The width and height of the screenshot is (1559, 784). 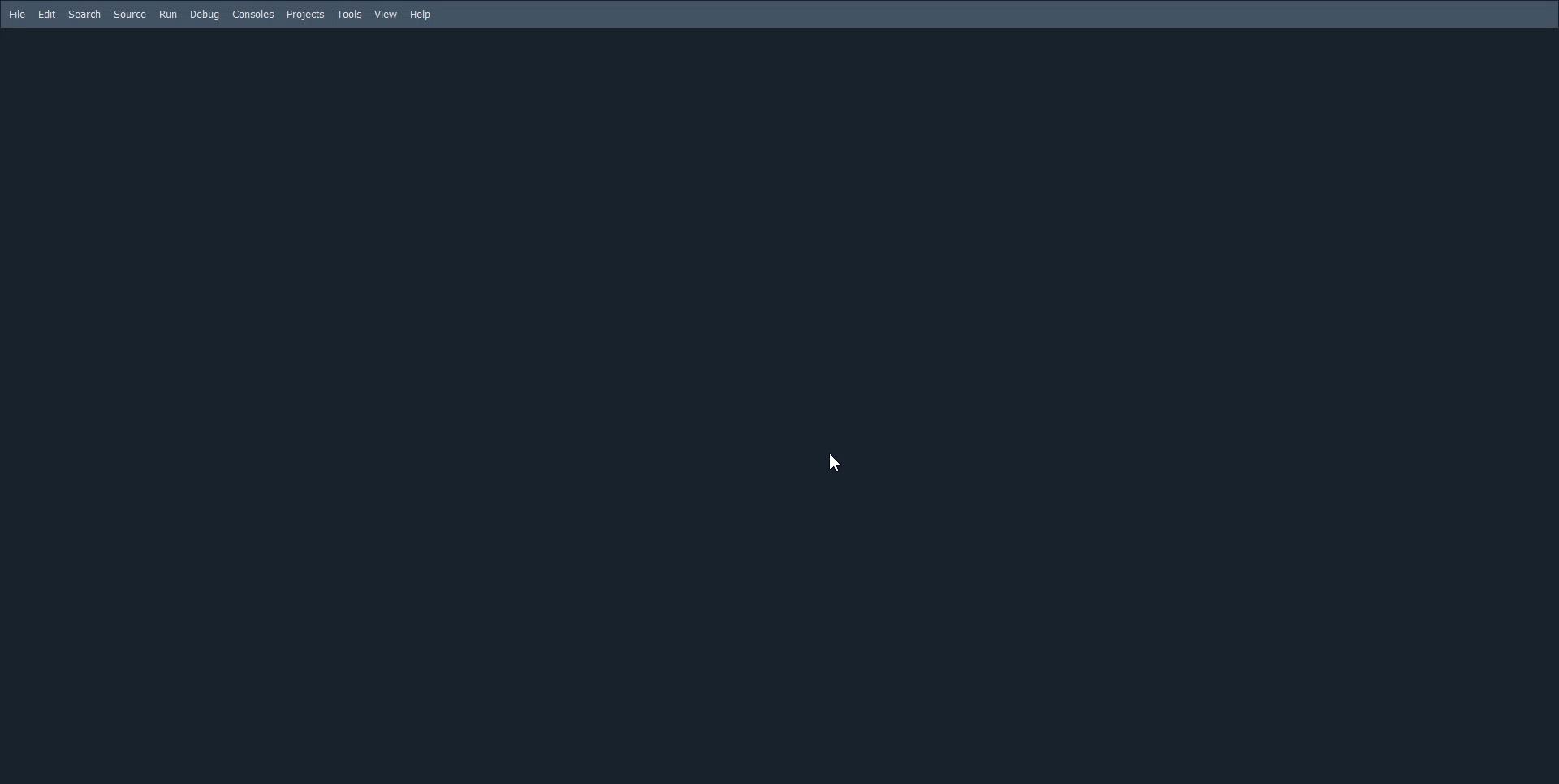 What do you see at coordinates (421, 15) in the screenshot?
I see `Help` at bounding box center [421, 15].